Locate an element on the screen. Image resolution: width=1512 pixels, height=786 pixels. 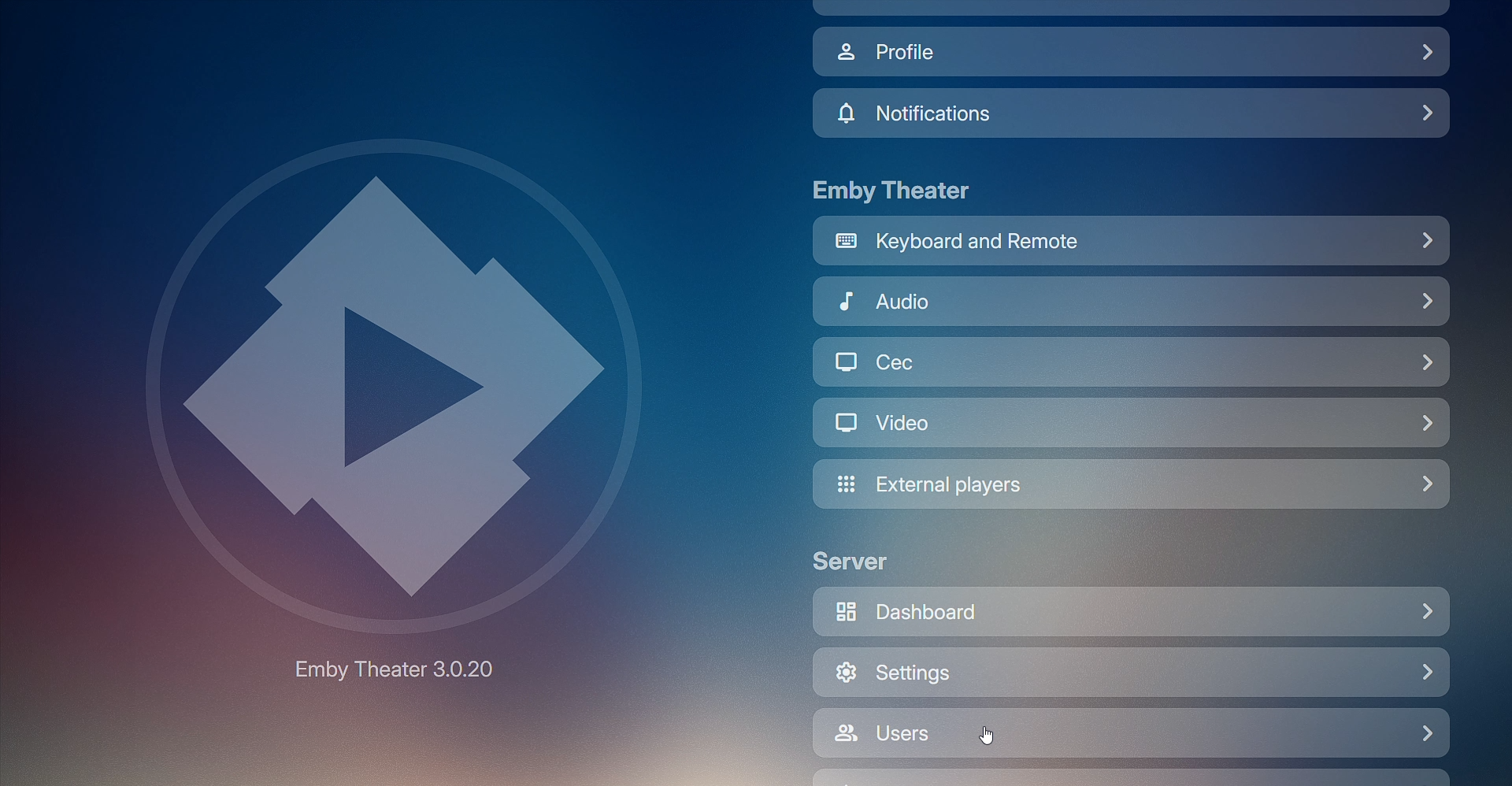
Dashboard is located at coordinates (1134, 610).